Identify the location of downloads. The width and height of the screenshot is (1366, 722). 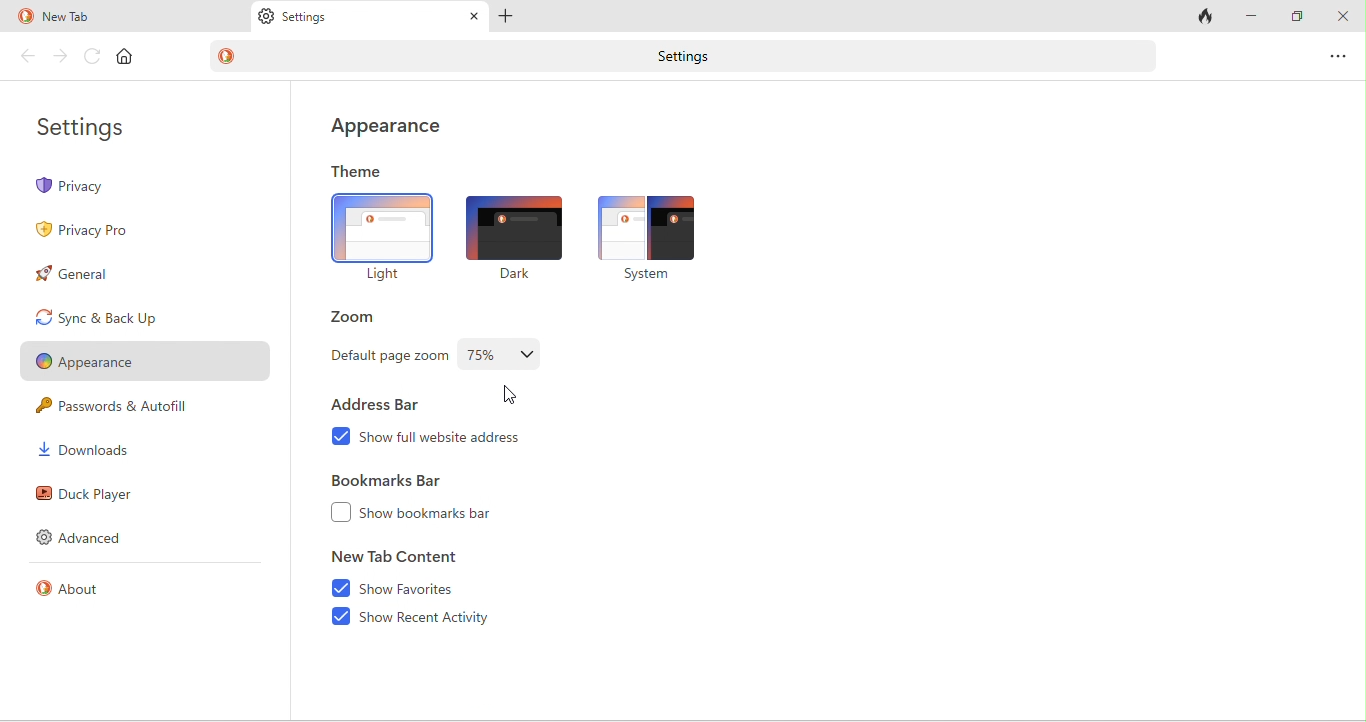
(84, 450).